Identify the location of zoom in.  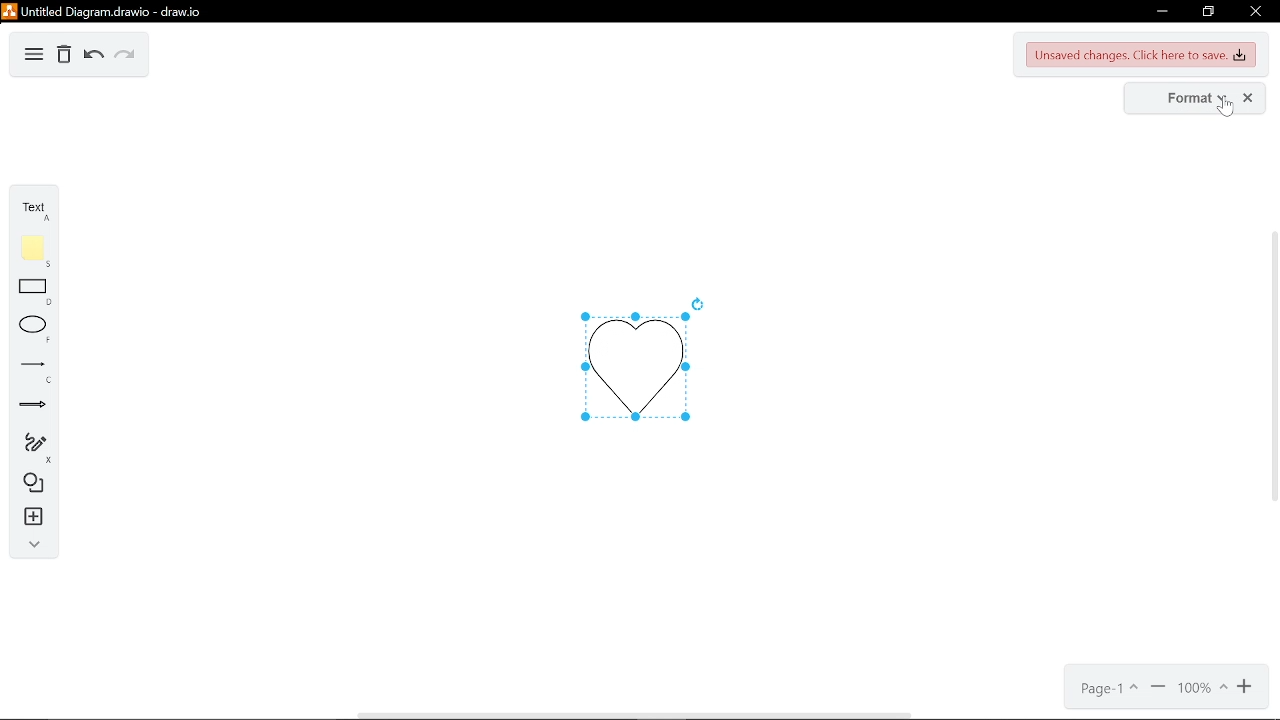
(1246, 687).